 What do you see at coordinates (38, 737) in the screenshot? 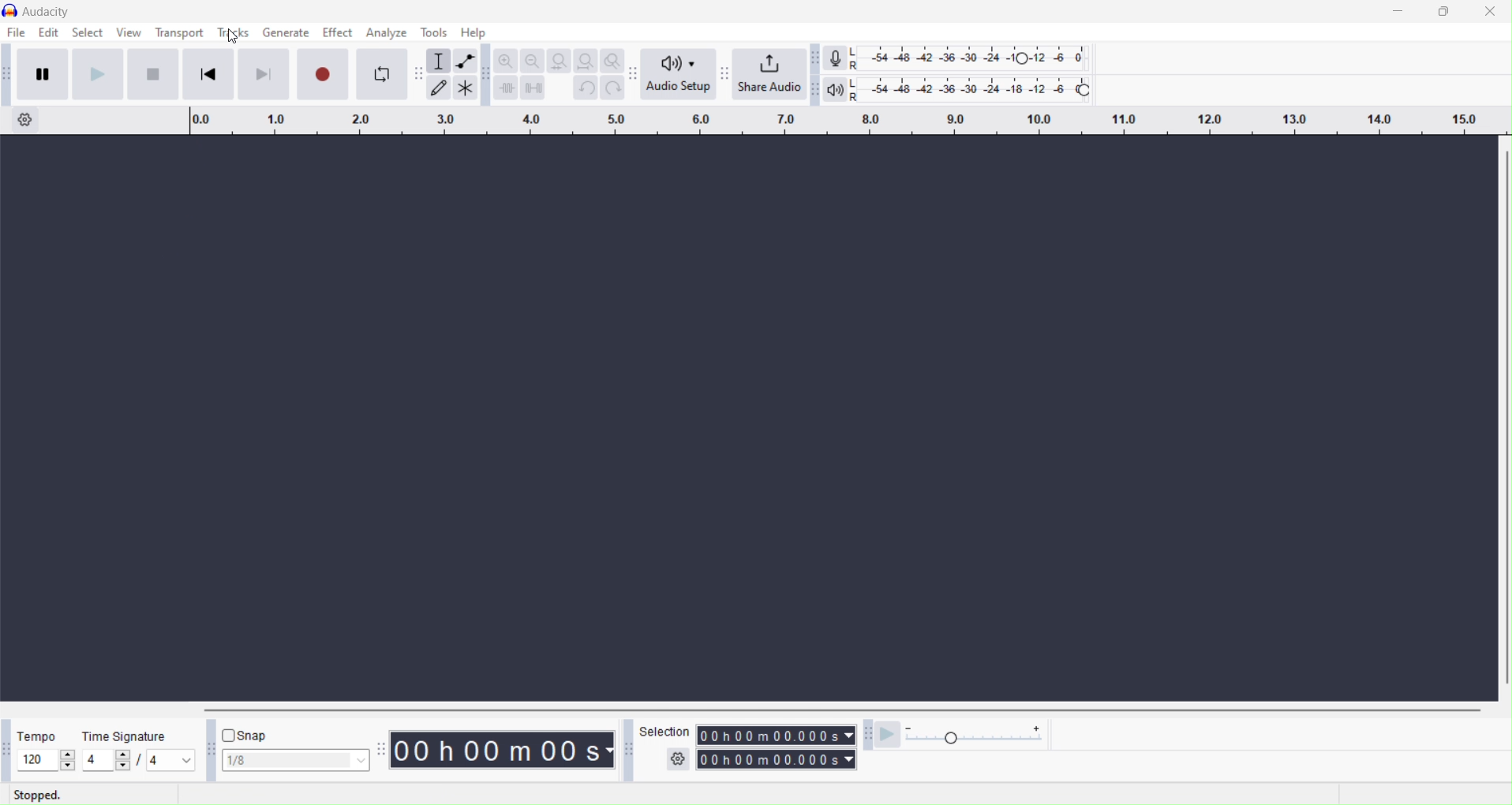
I see `Tempo` at bounding box center [38, 737].